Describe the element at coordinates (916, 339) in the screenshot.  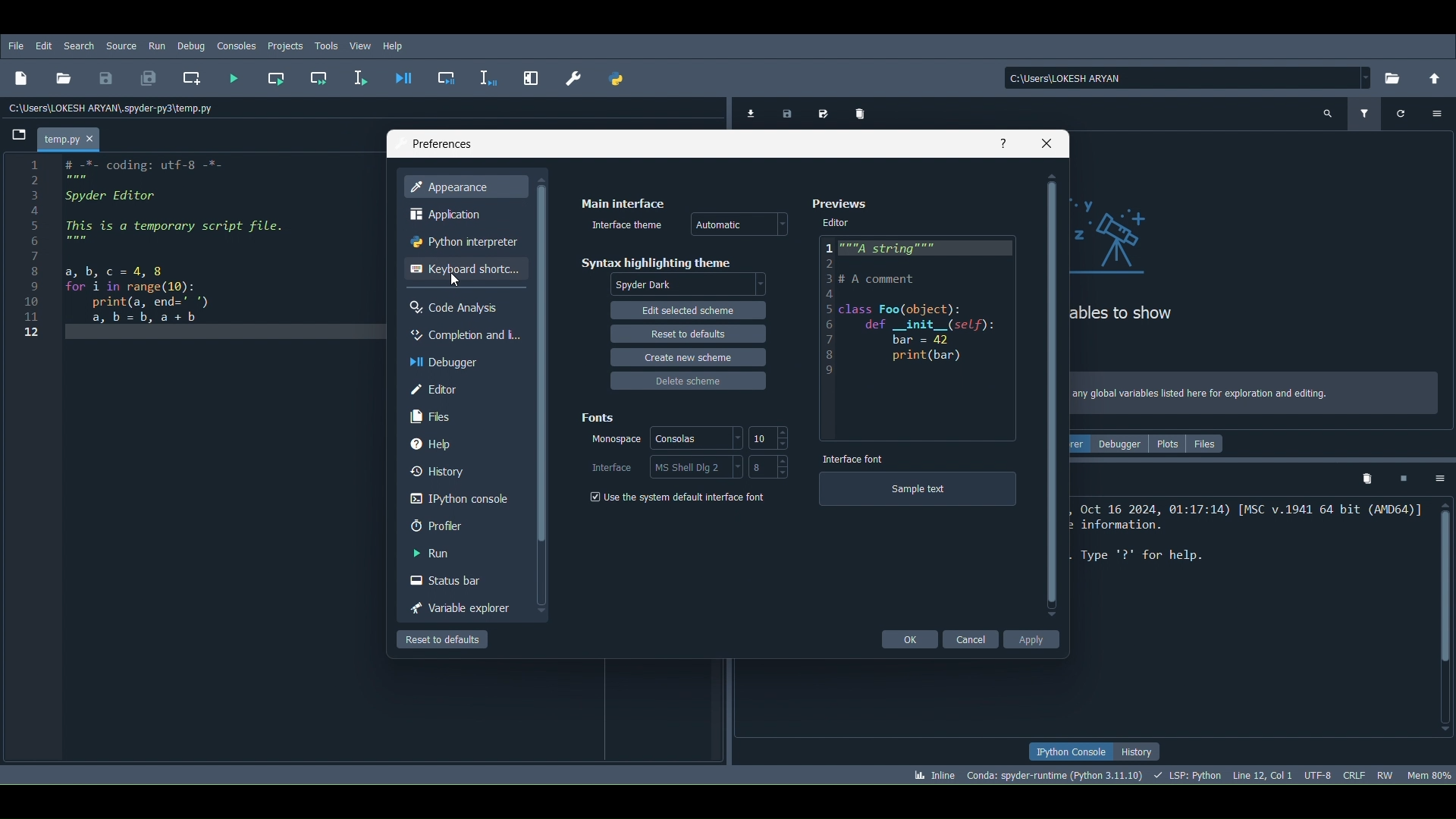
I see `Editor` at that location.